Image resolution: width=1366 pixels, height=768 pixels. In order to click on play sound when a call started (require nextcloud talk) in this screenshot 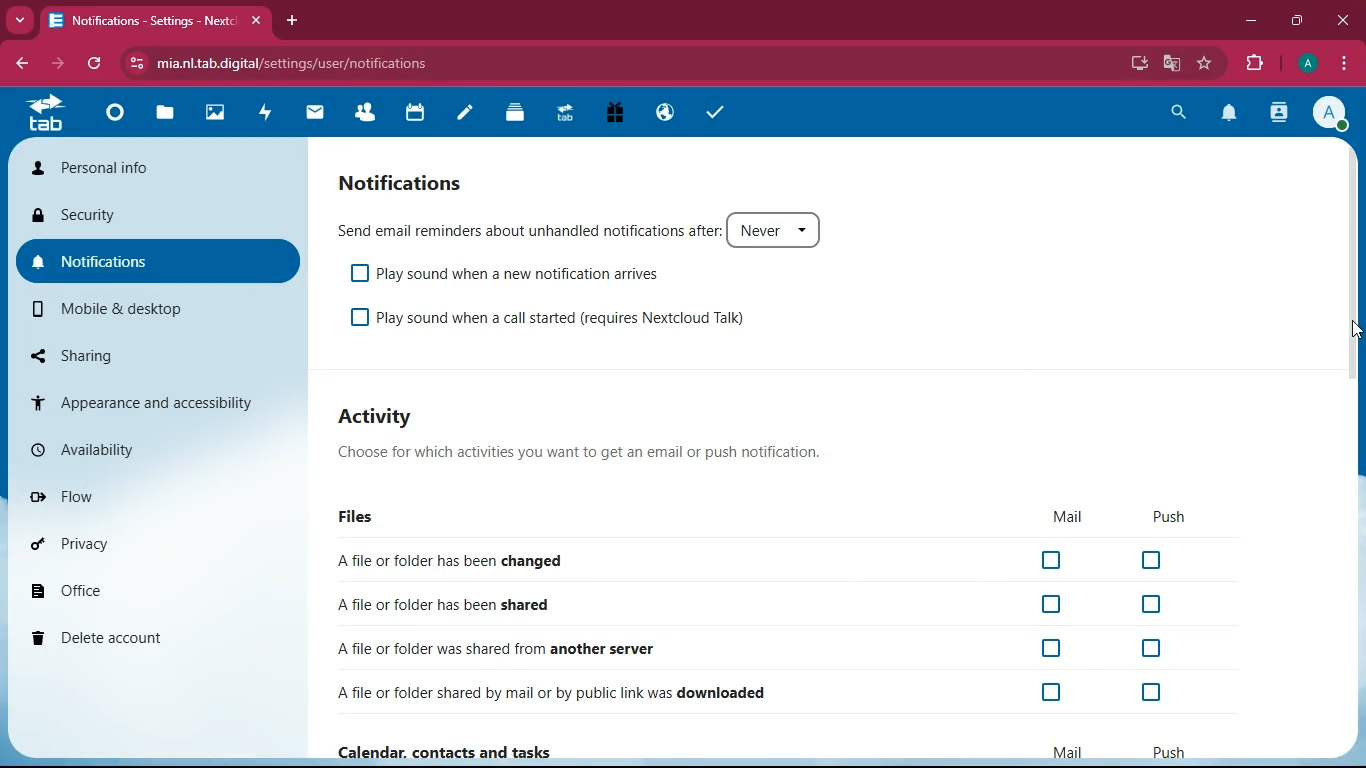, I will do `click(563, 317)`.